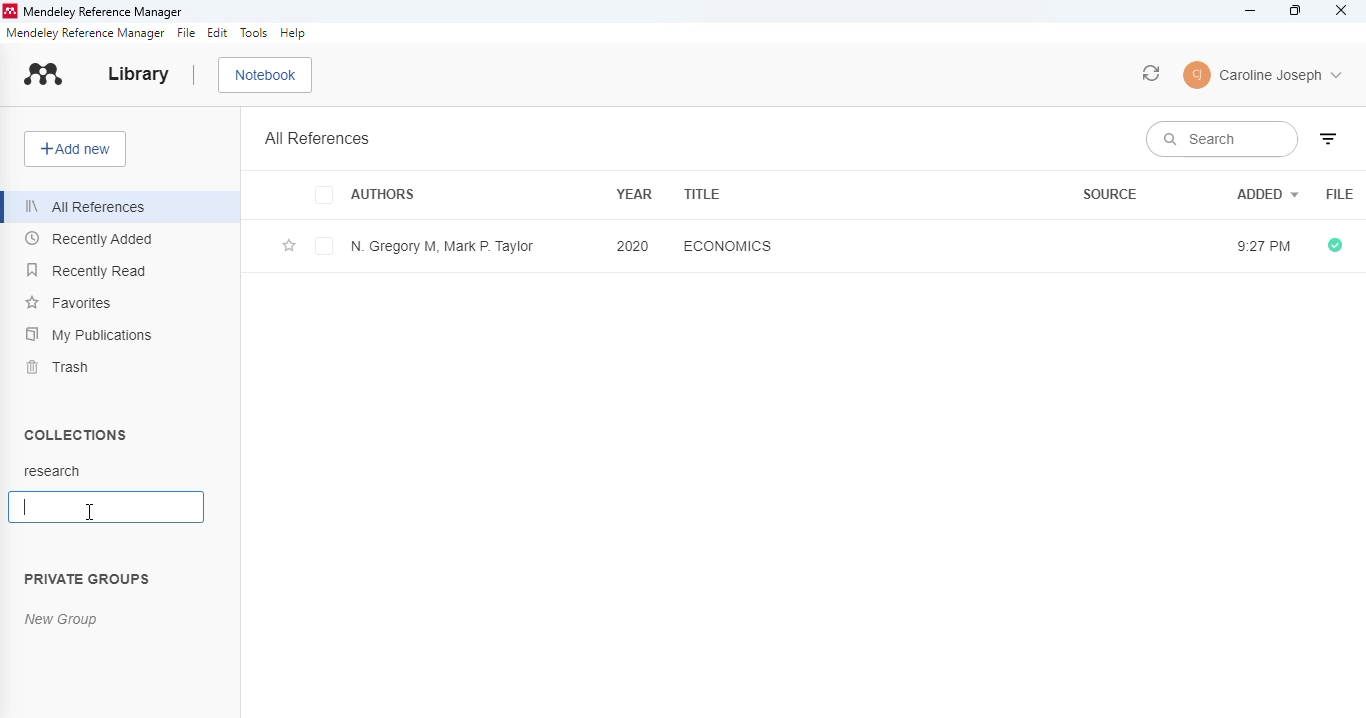  I want to click on filter by, so click(1328, 139).